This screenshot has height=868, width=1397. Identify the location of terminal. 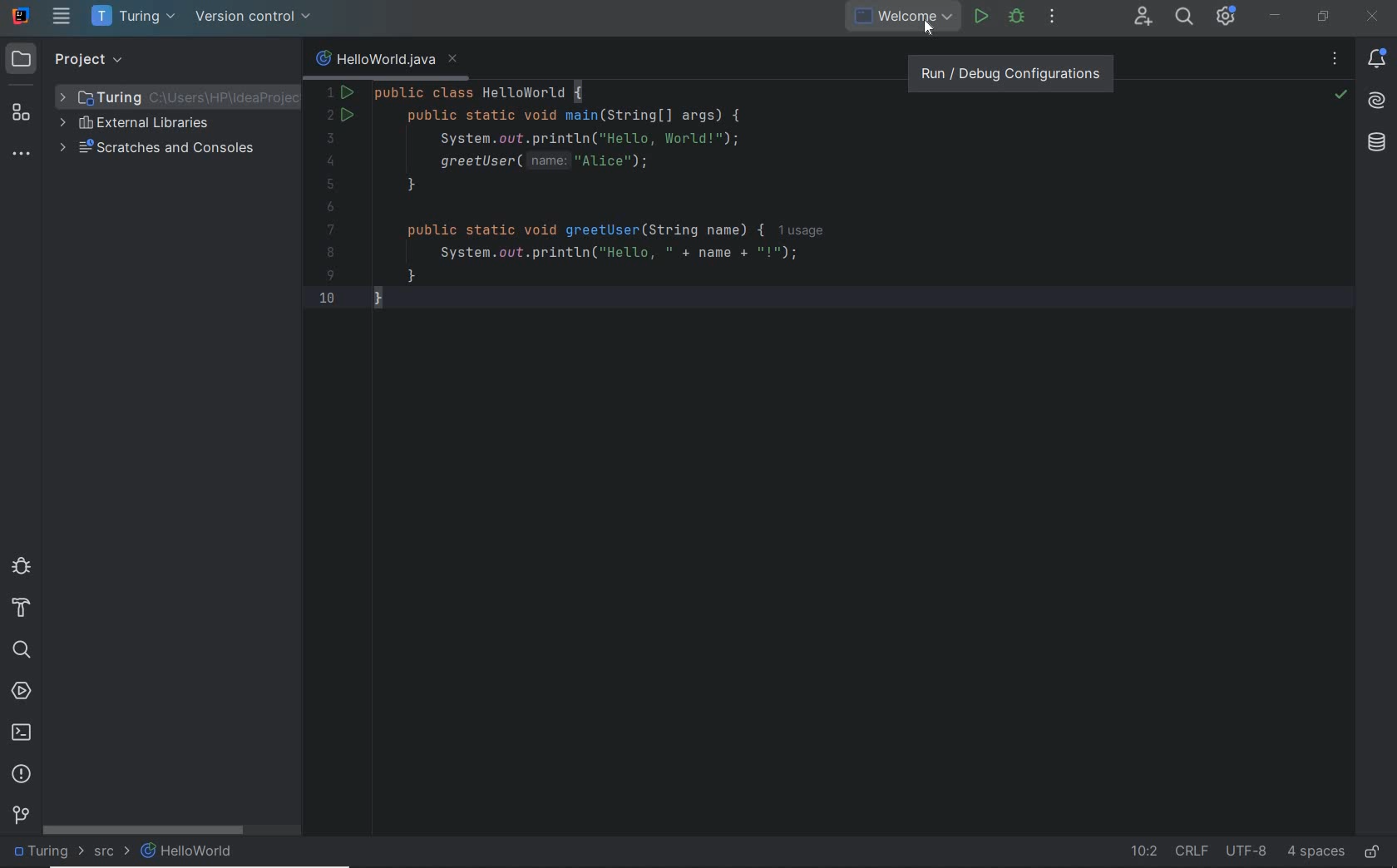
(22, 732).